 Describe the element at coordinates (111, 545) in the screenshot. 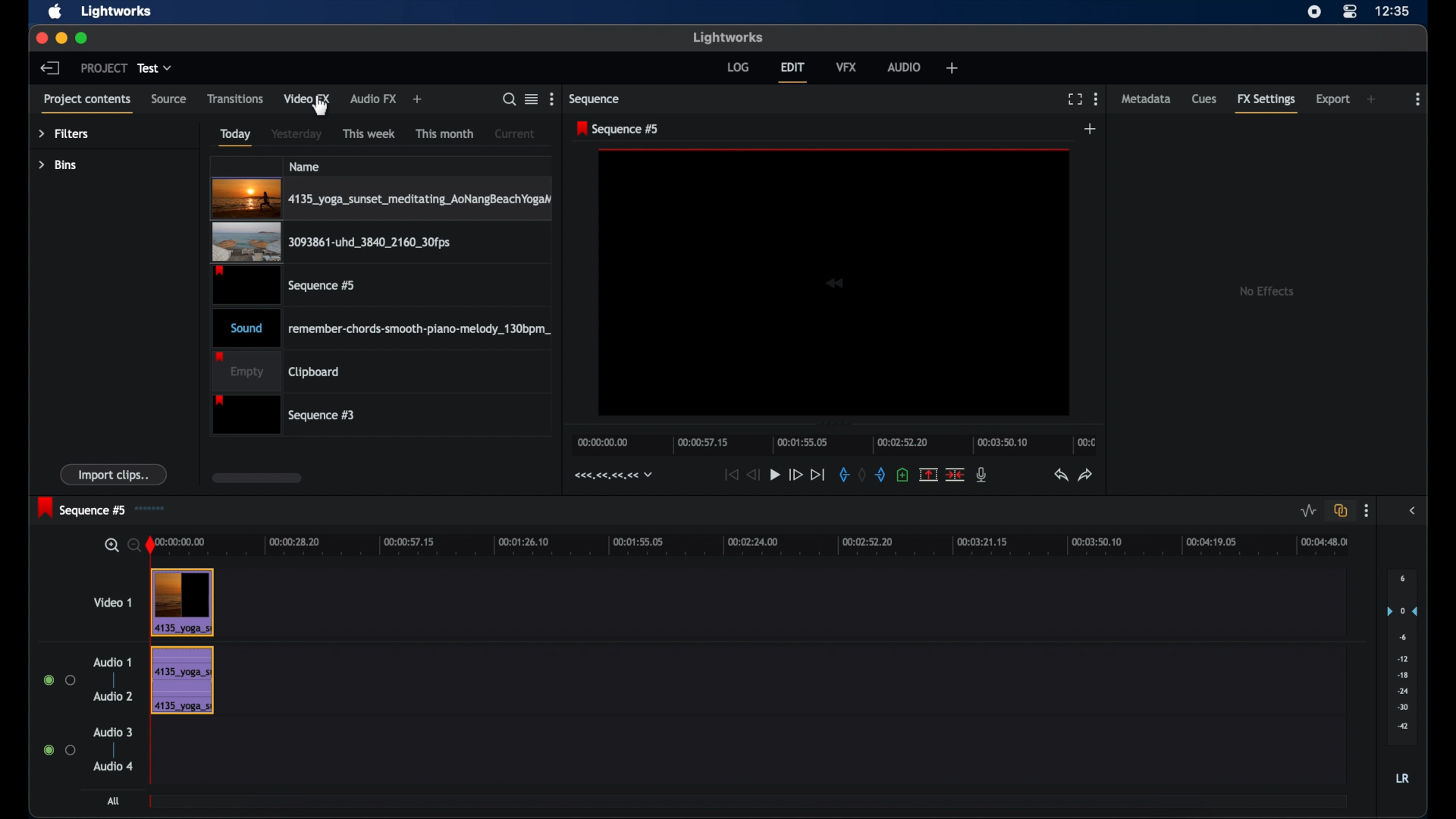

I see `zoom in` at that location.